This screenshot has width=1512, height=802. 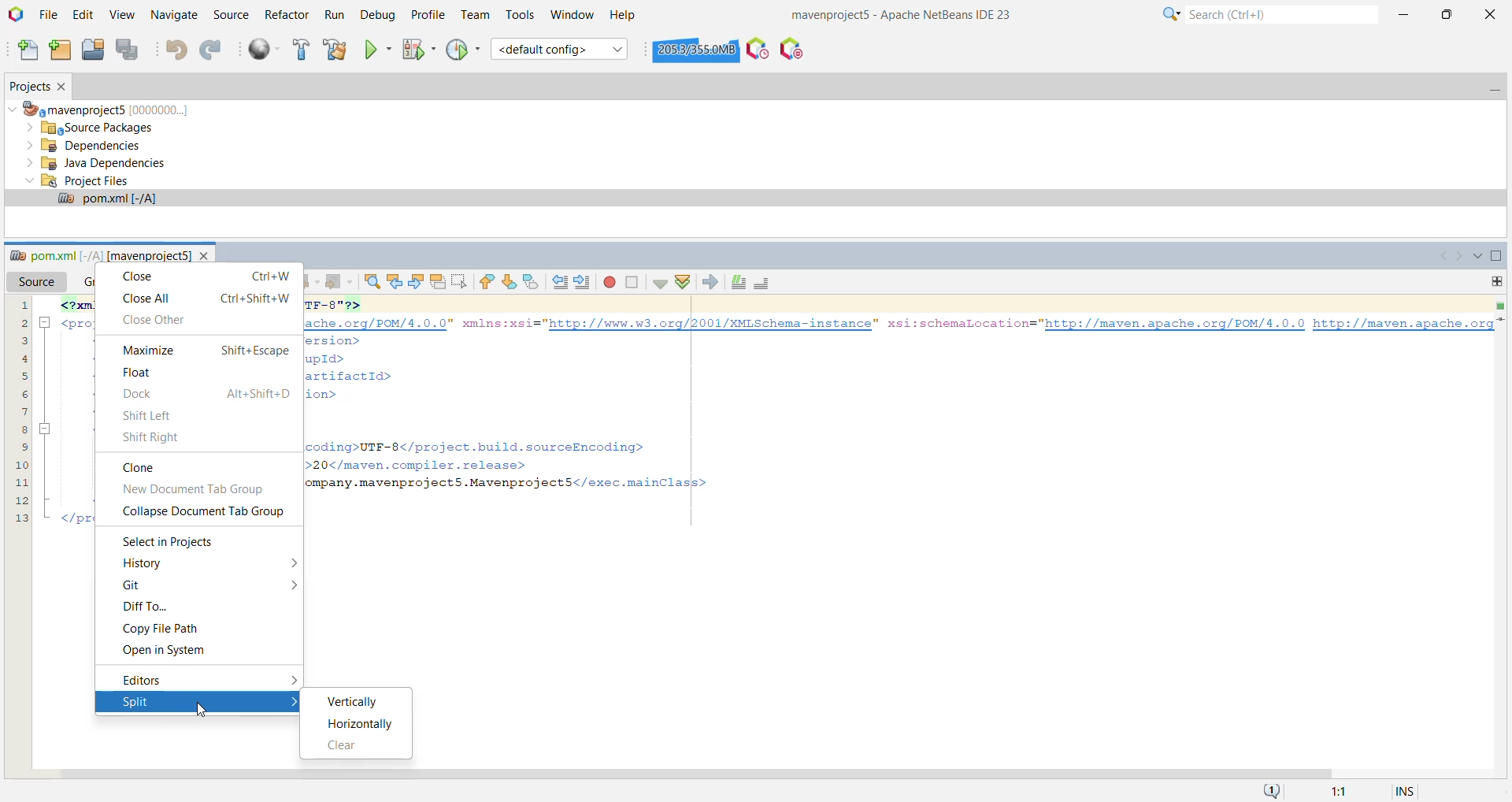 I want to click on Minimize Projects Window, so click(x=1492, y=87).